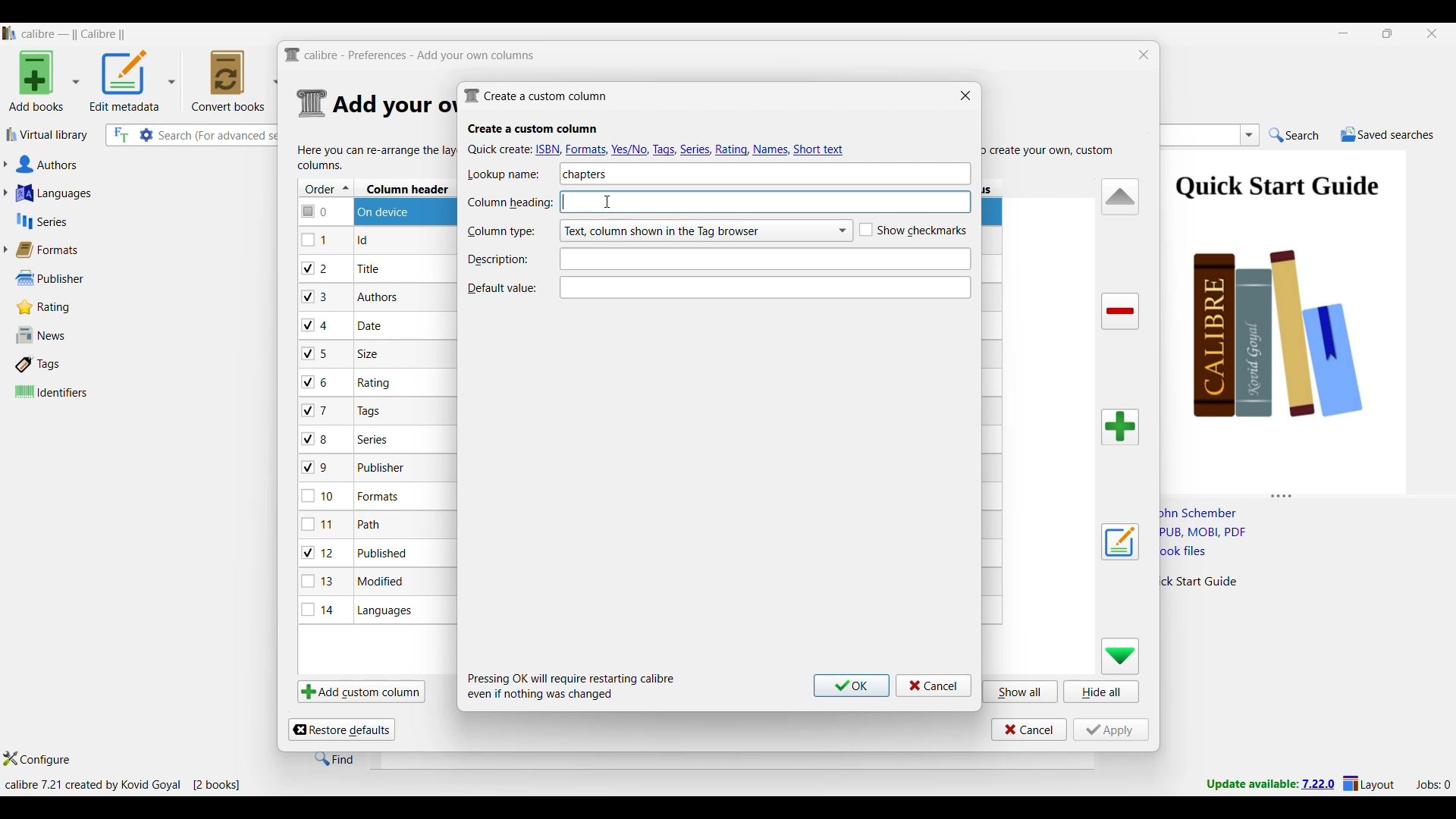  I want to click on checkbox - 7, so click(317, 410).